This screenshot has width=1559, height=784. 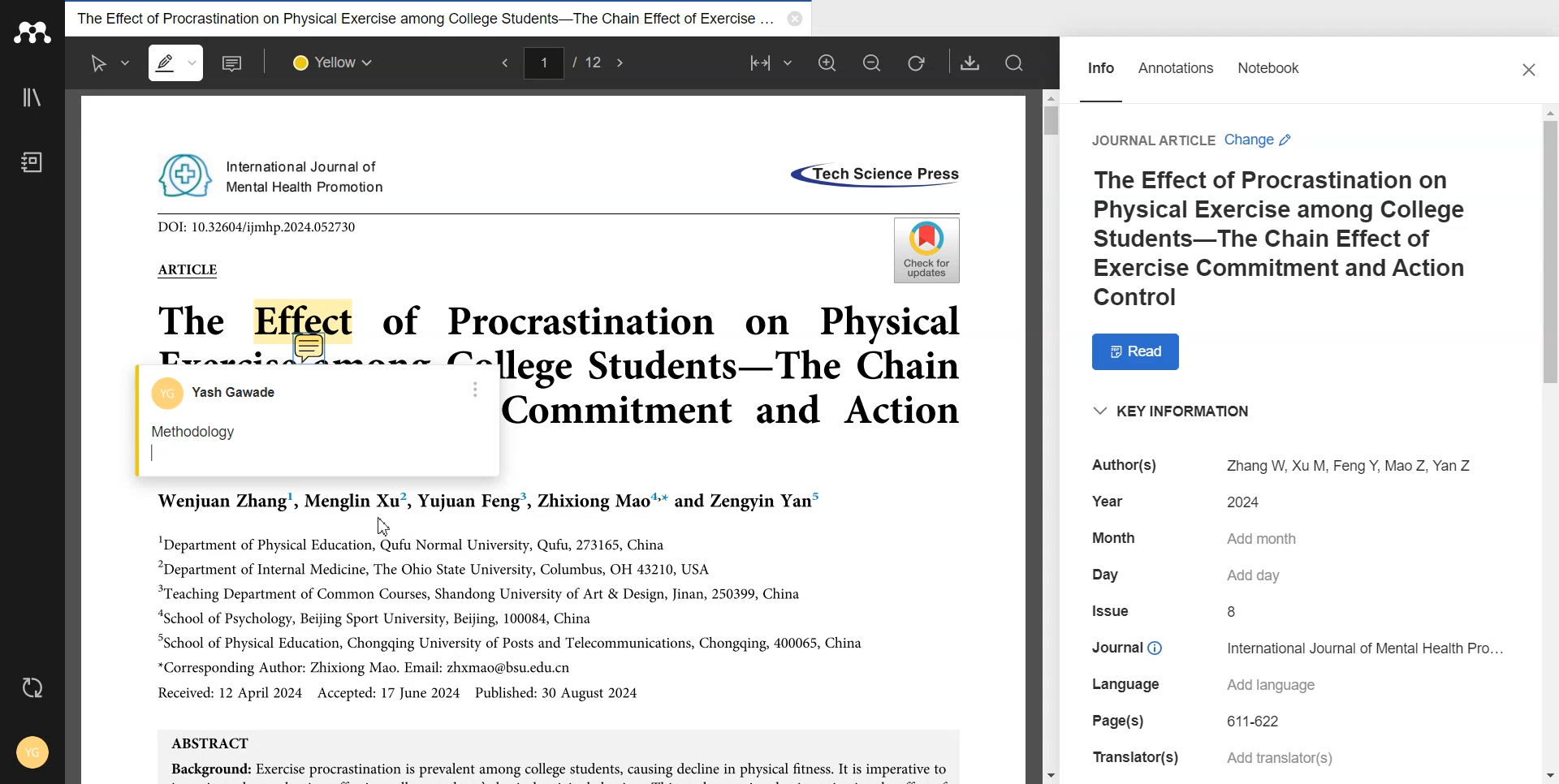 What do you see at coordinates (34, 690) in the screenshot?
I see `Auto sync` at bounding box center [34, 690].